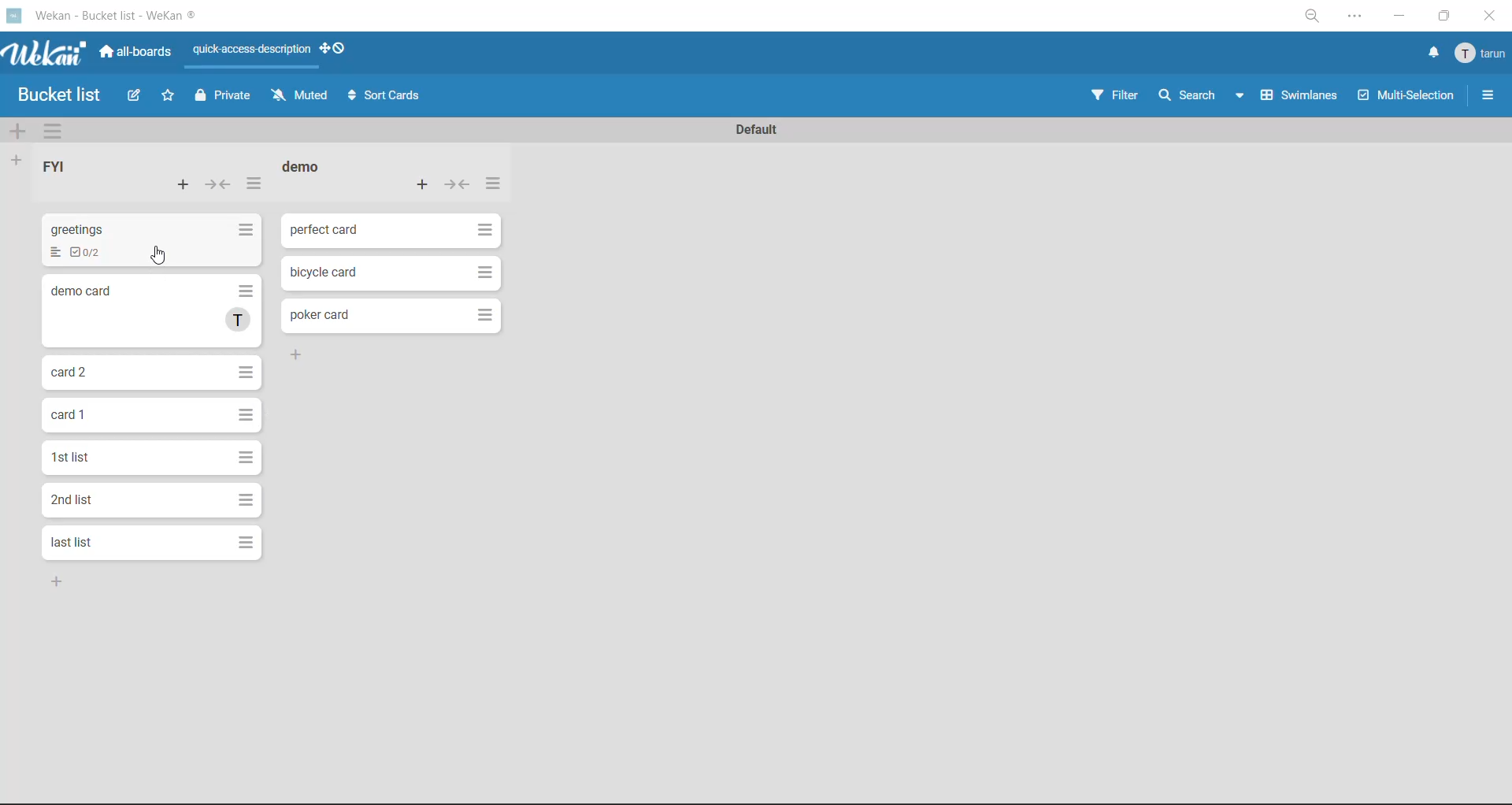 Image resolution: width=1512 pixels, height=805 pixels. What do you see at coordinates (1358, 18) in the screenshot?
I see `settings` at bounding box center [1358, 18].